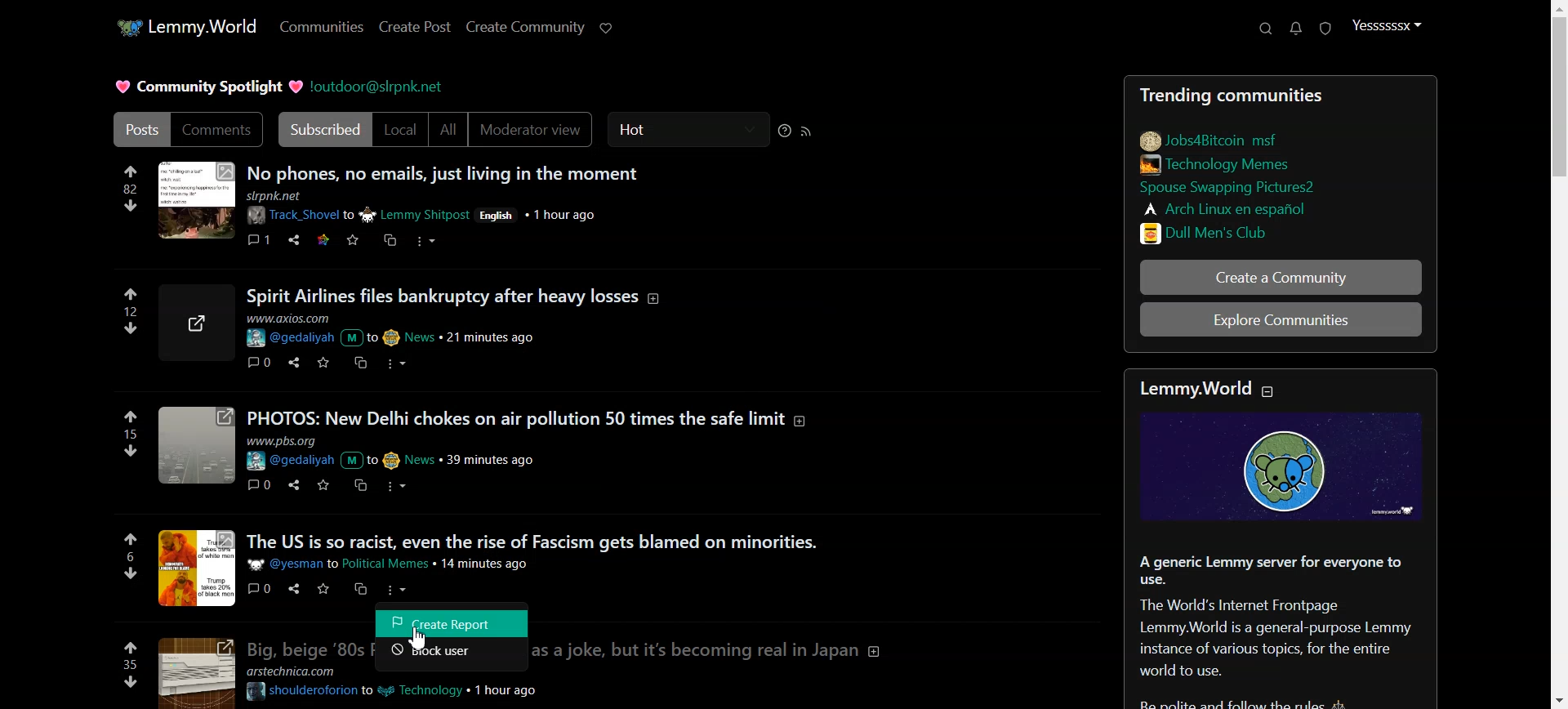 Image resolution: width=1568 pixels, height=709 pixels. What do you see at coordinates (398, 564) in the screenshot?
I see `post details` at bounding box center [398, 564].